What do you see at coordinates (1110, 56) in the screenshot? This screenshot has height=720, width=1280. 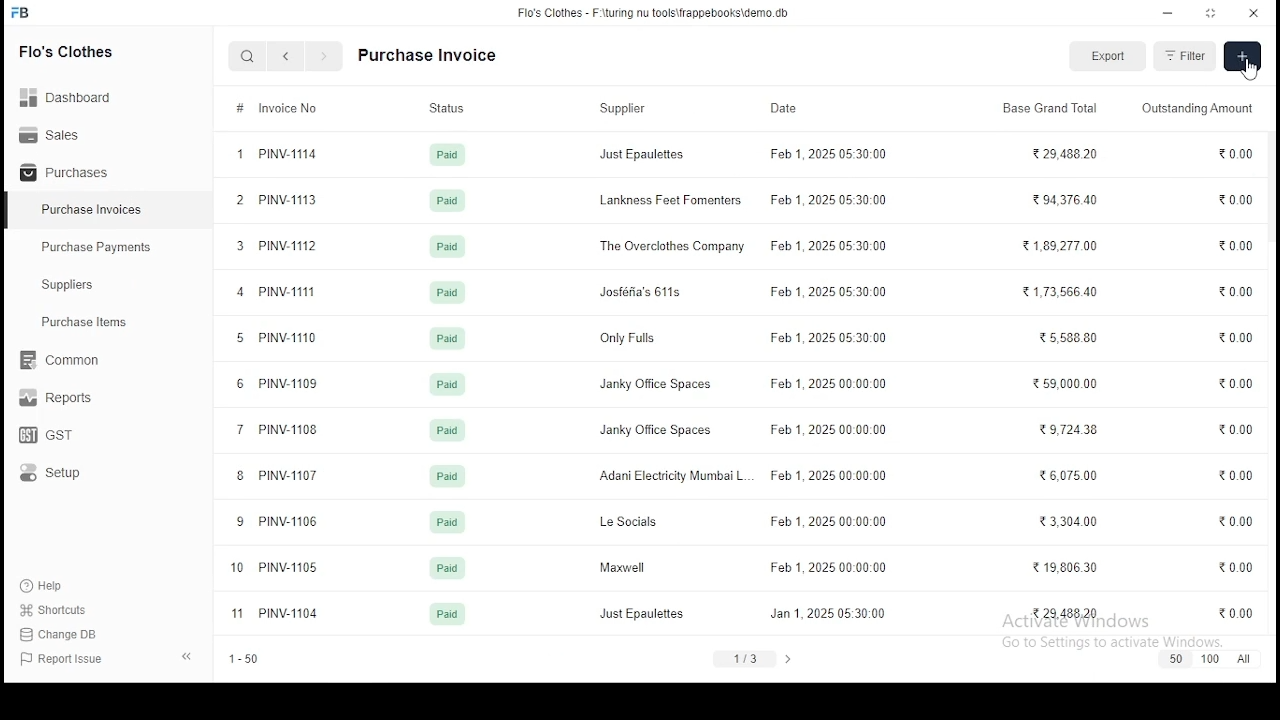 I see `export` at bounding box center [1110, 56].